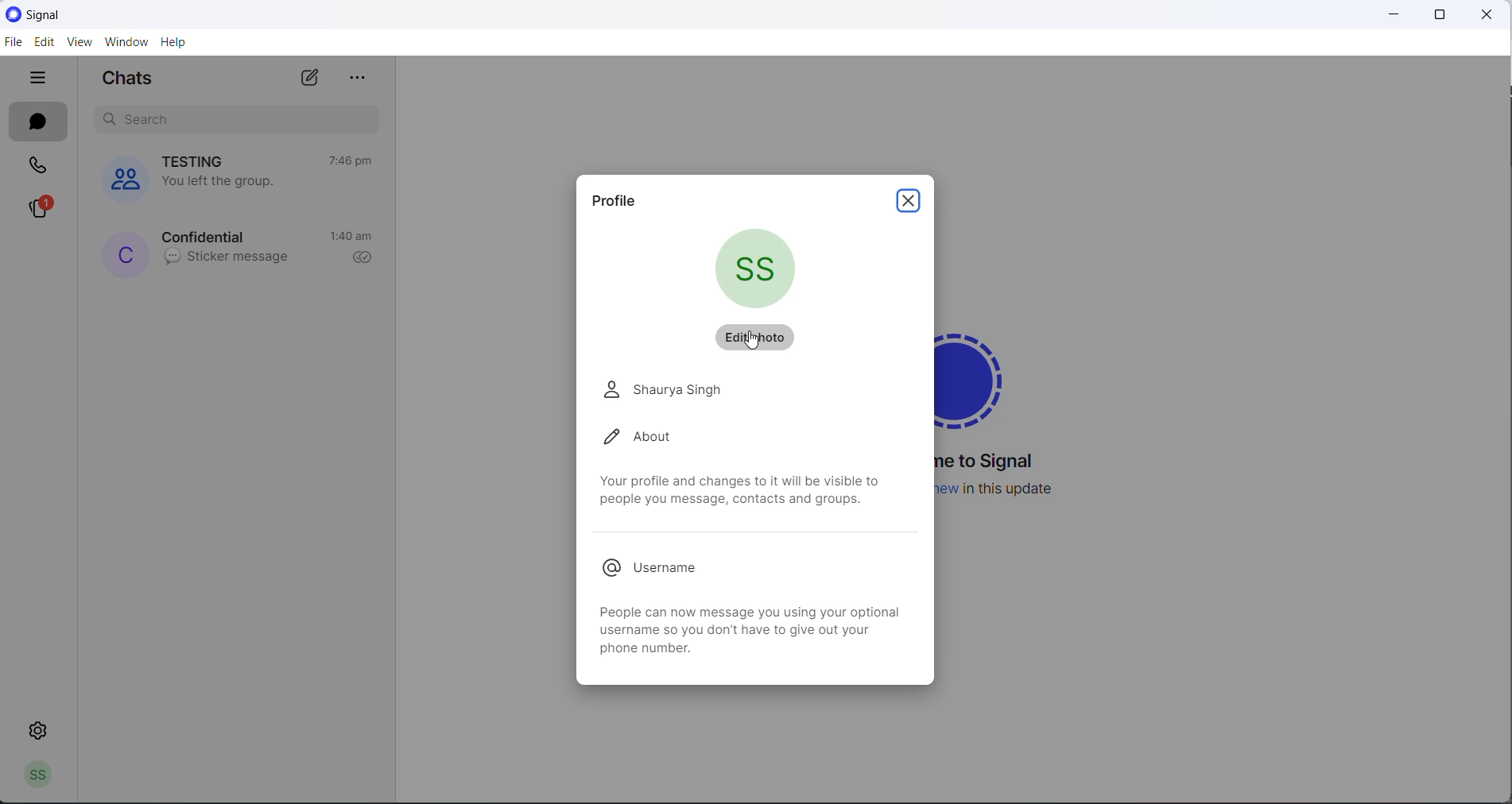 The height and width of the screenshot is (804, 1512). What do you see at coordinates (1489, 16) in the screenshot?
I see `close` at bounding box center [1489, 16].